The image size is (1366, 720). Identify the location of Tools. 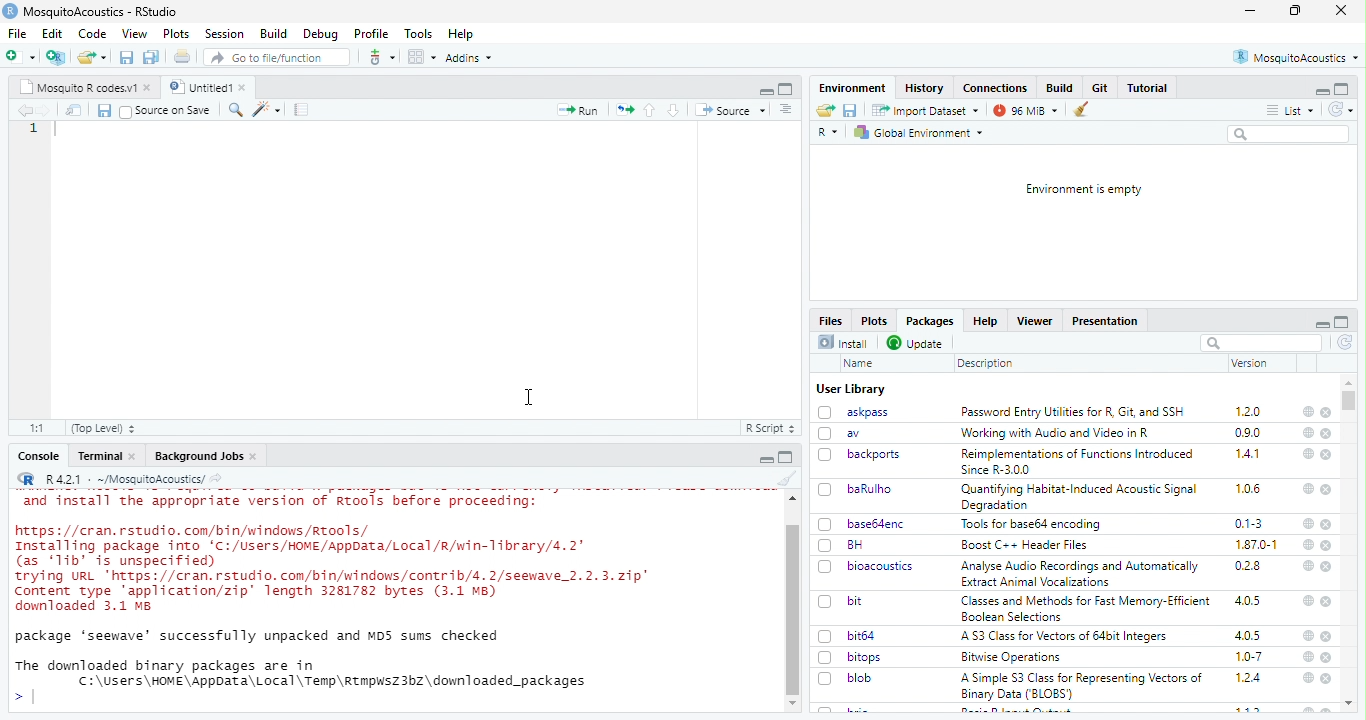
(419, 34).